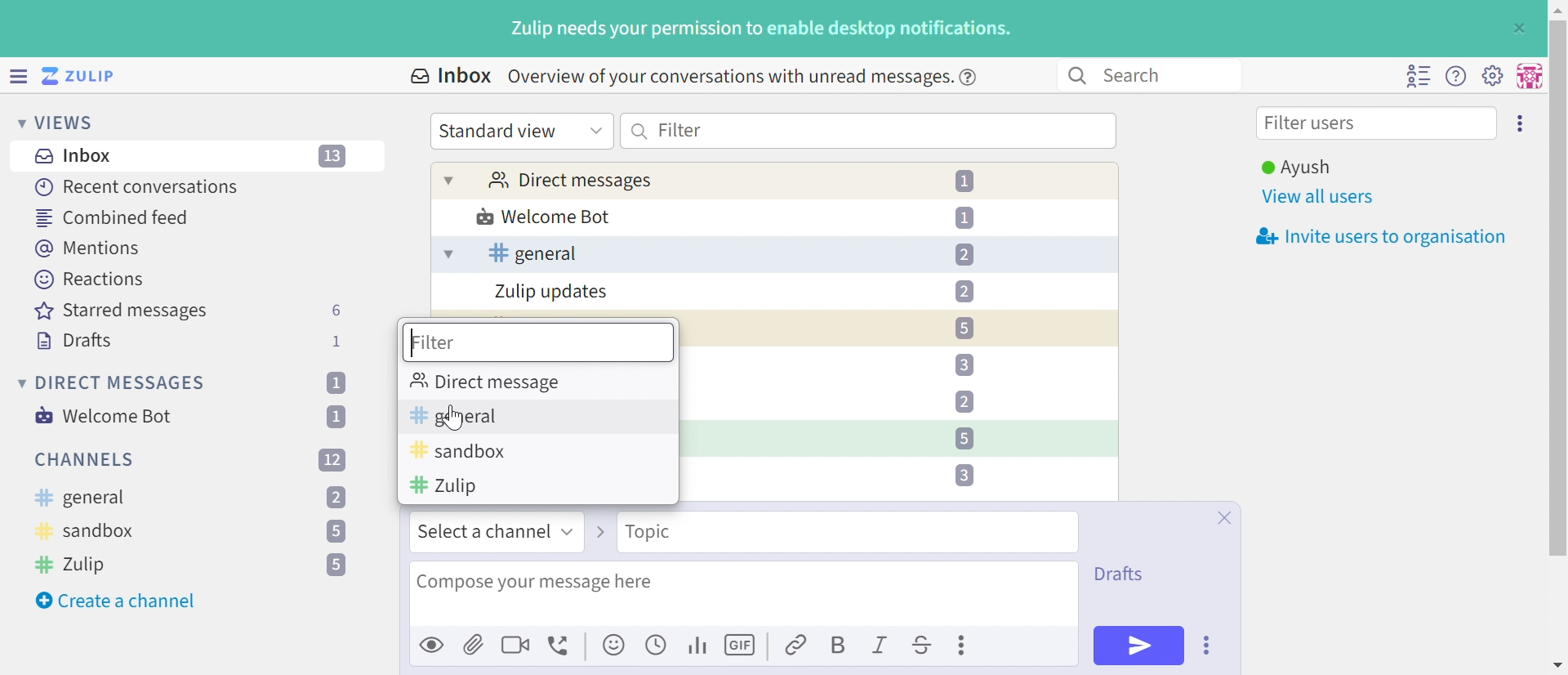 The image size is (1568, 675). Describe the element at coordinates (1558, 667) in the screenshot. I see `move down` at that location.